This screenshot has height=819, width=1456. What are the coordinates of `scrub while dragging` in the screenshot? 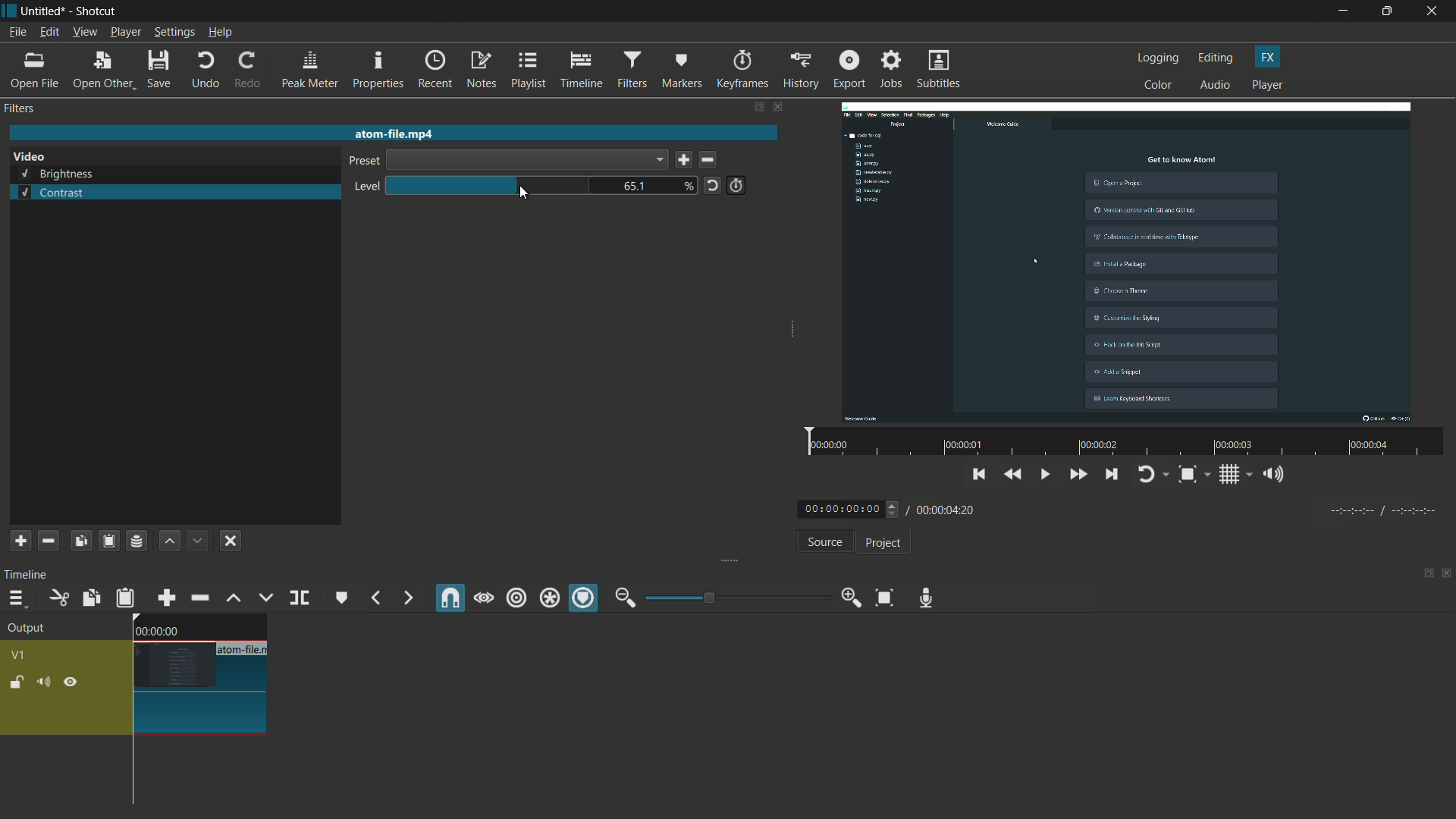 It's located at (483, 598).